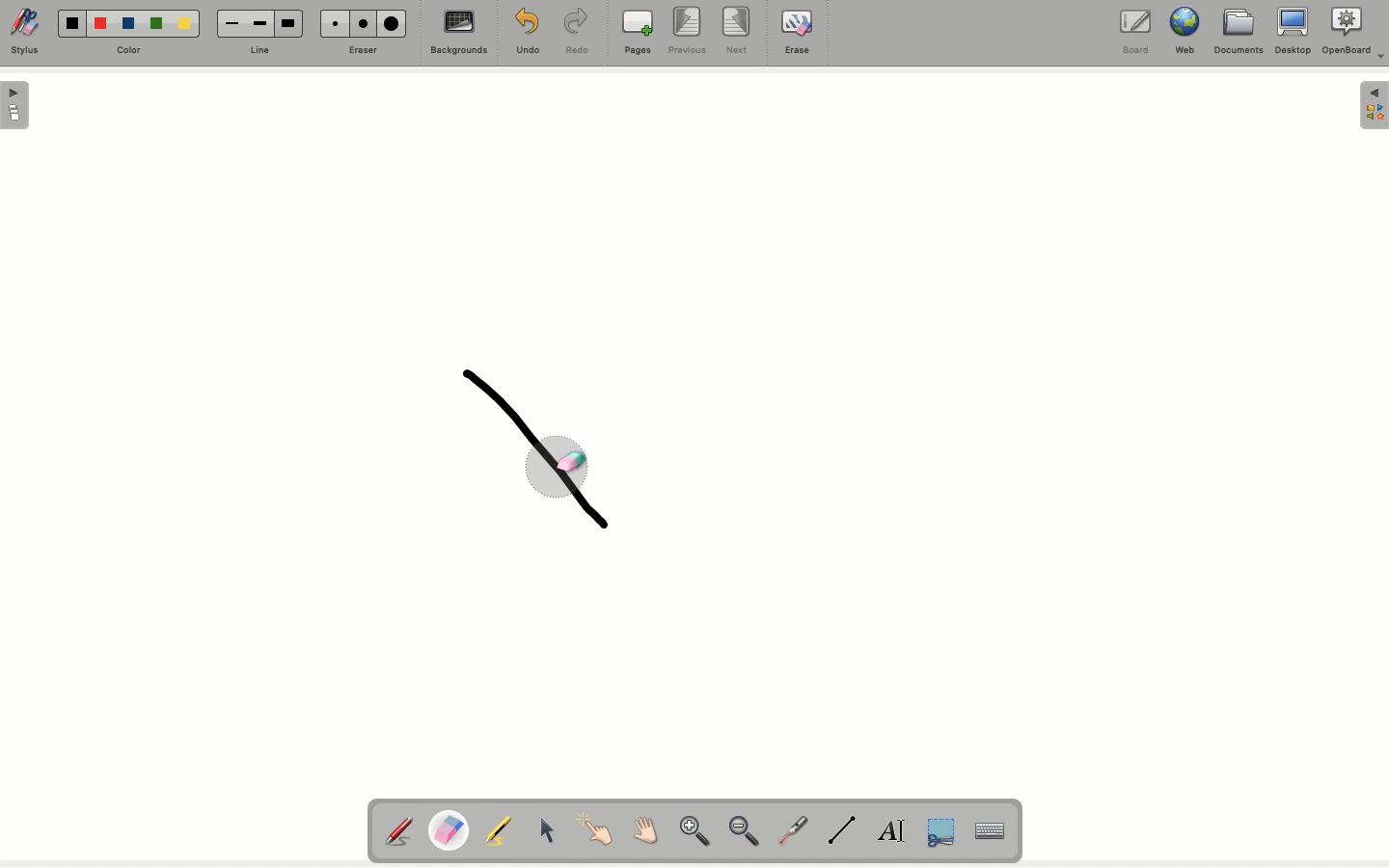 The image size is (1389, 868). What do you see at coordinates (893, 830) in the screenshot?
I see `Text` at bounding box center [893, 830].